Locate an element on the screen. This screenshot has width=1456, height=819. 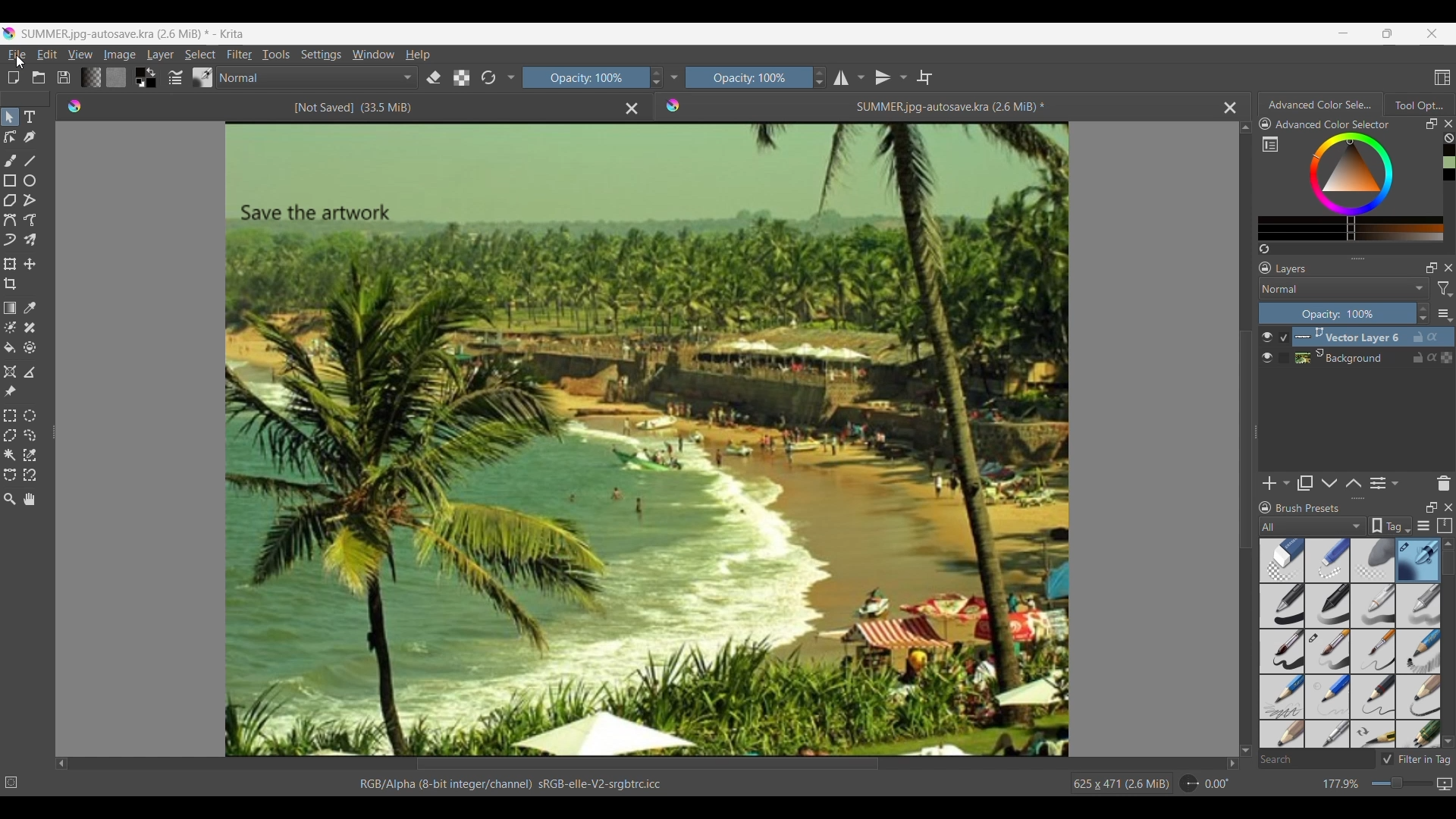
Vector layer is located at coordinates (1373, 337).